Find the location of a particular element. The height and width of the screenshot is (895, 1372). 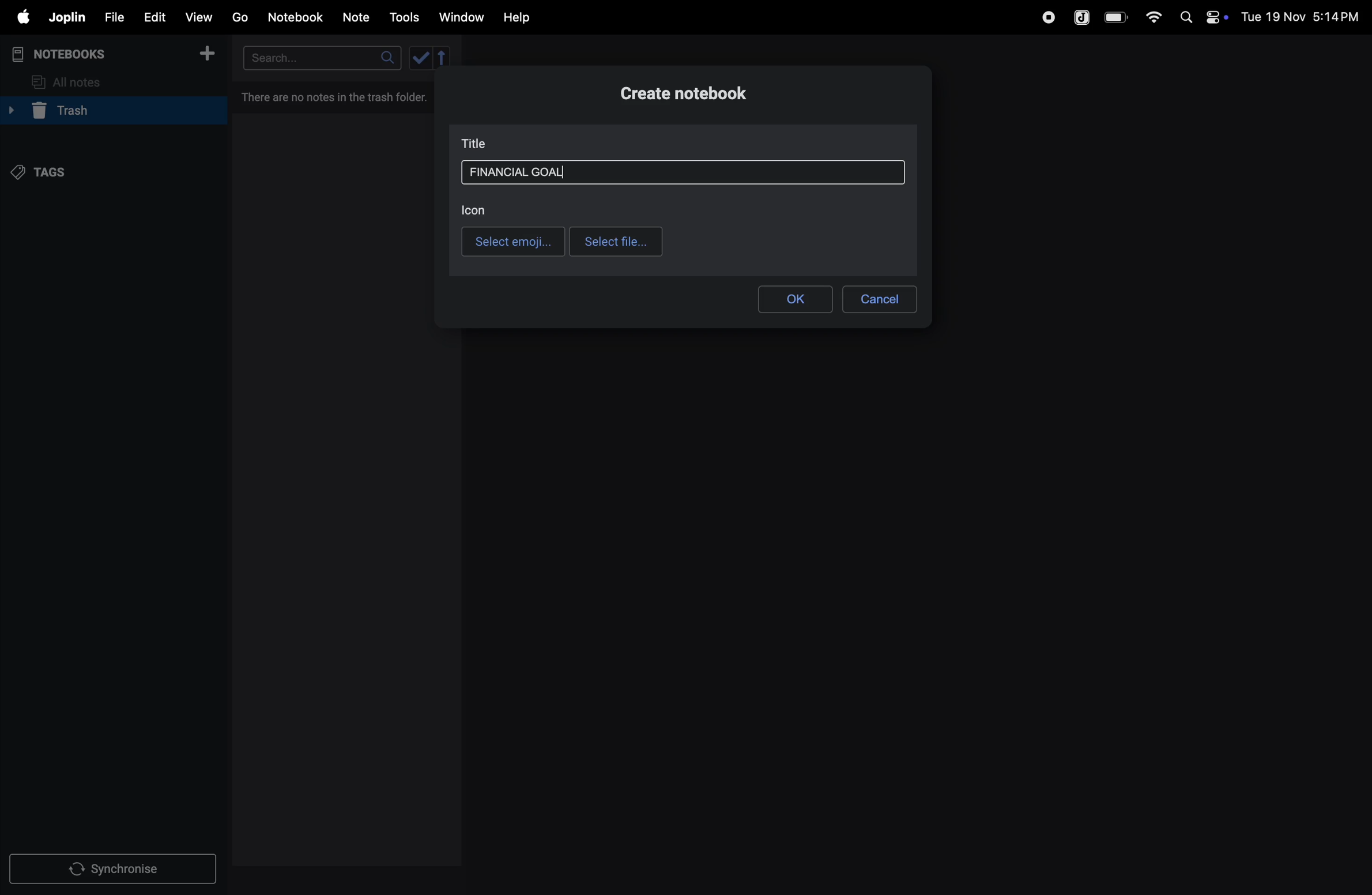

notebooks is located at coordinates (69, 54).